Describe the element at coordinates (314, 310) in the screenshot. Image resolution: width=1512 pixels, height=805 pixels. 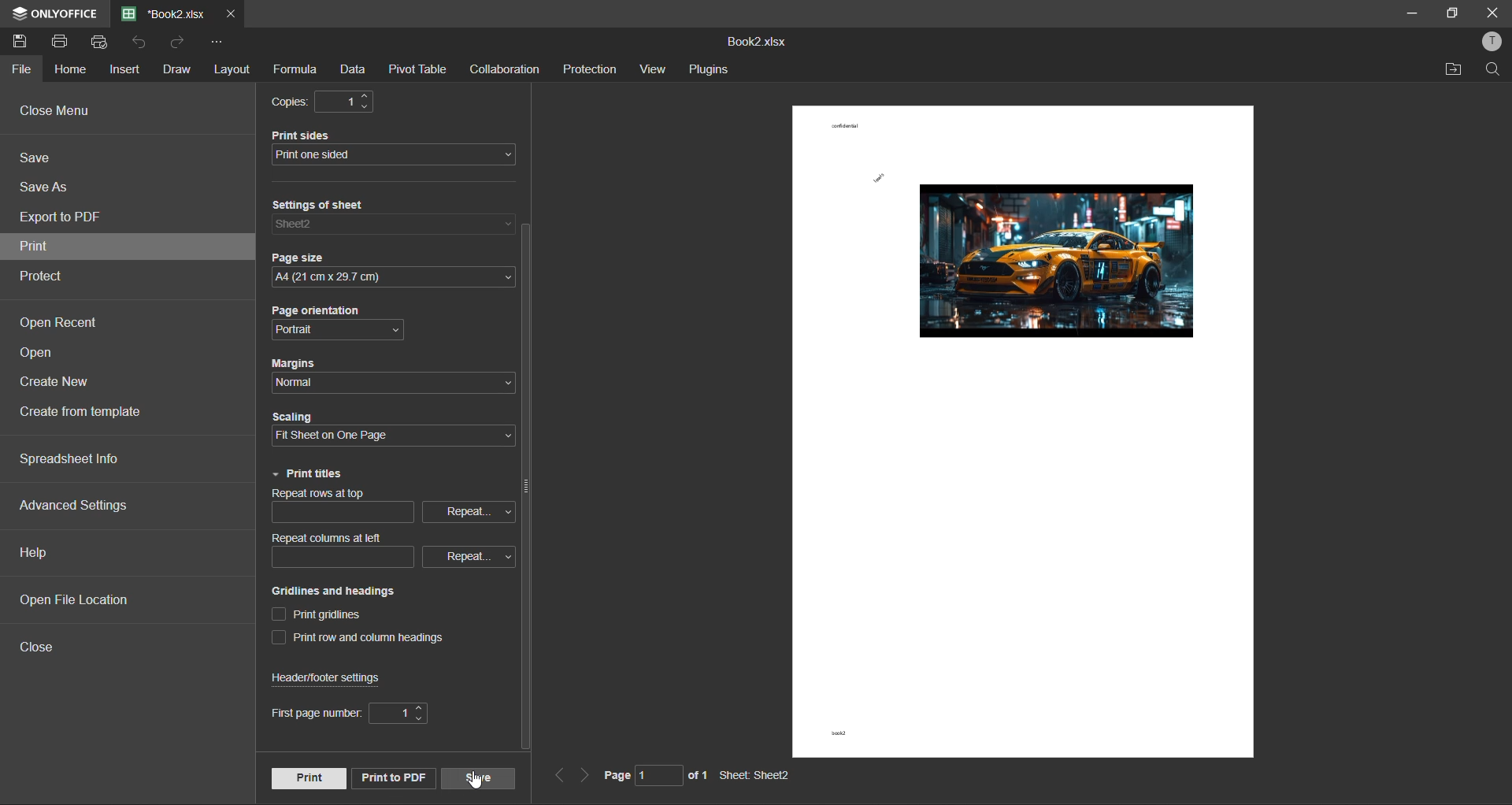
I see `Page orientation` at that location.